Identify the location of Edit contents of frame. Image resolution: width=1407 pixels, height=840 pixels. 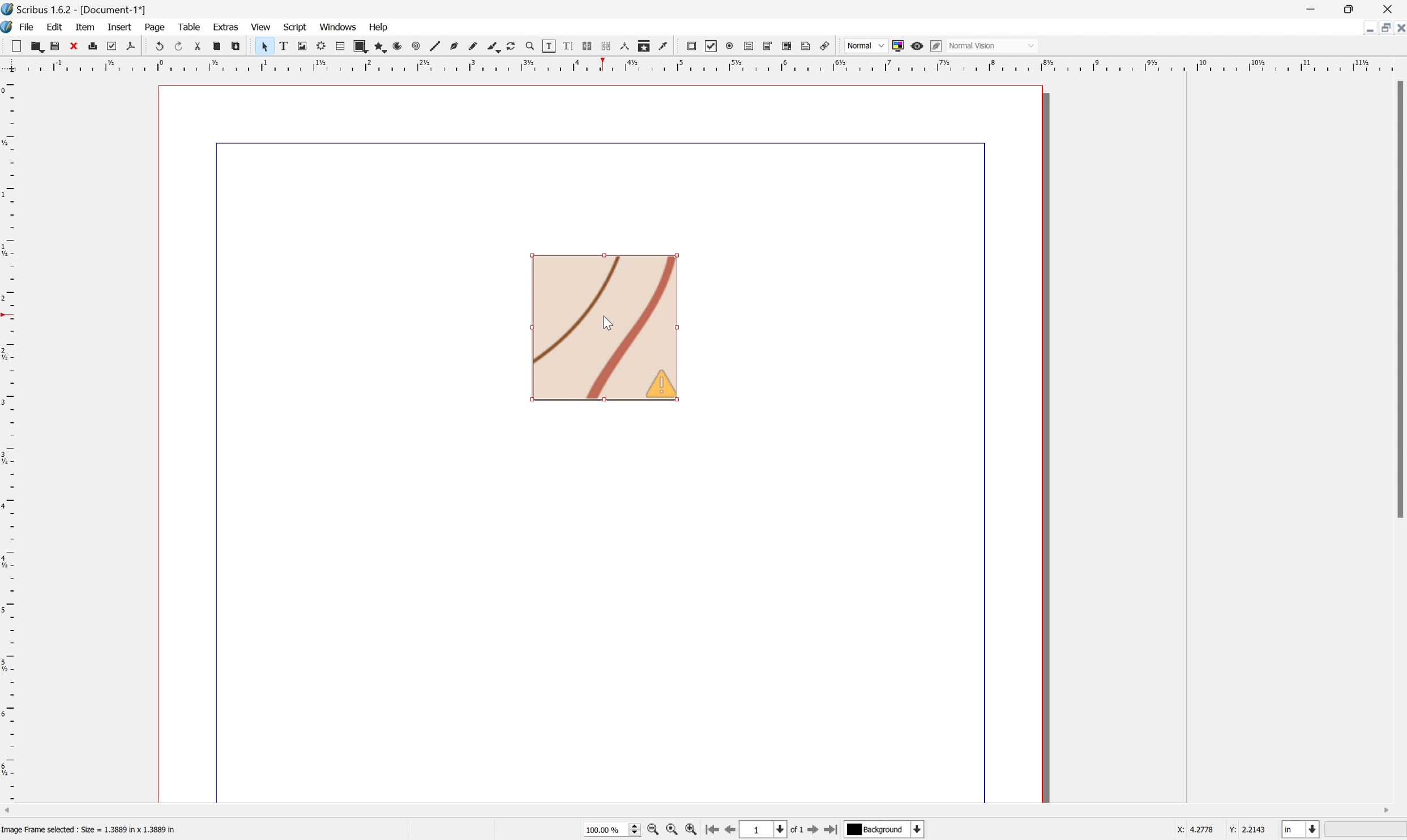
(551, 47).